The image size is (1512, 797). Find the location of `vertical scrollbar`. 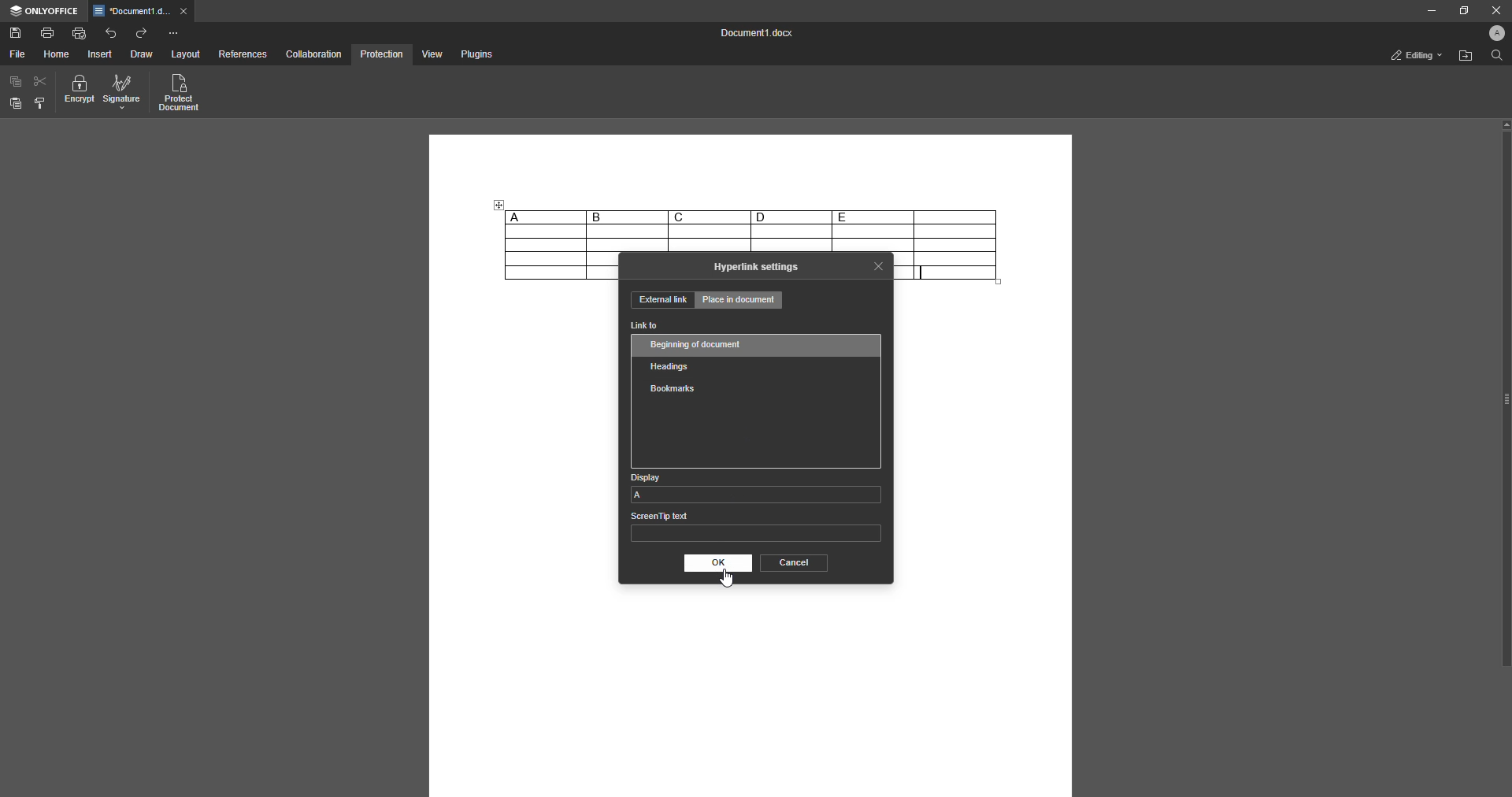

vertical scrollbar is located at coordinates (1505, 393).